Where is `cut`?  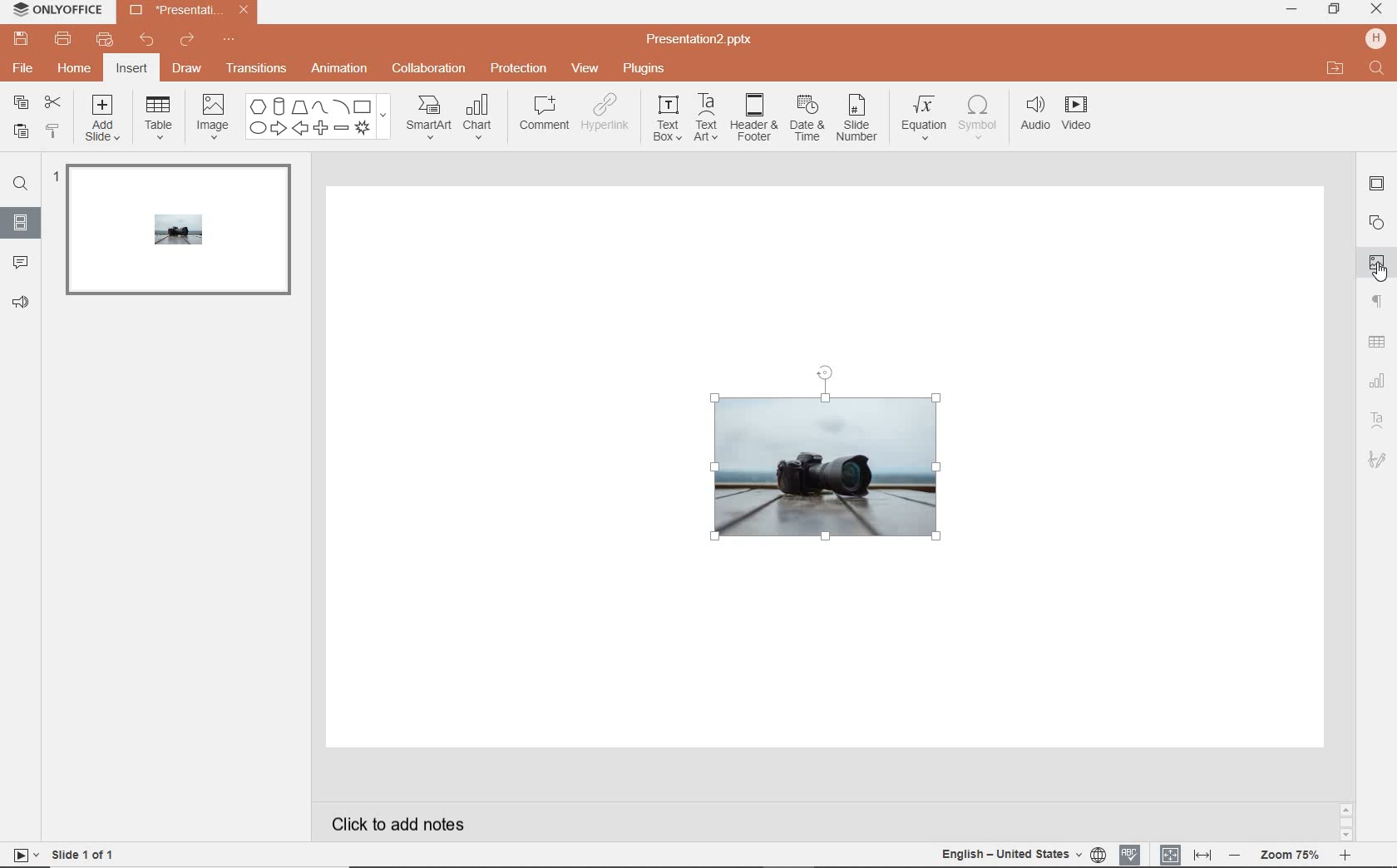
cut is located at coordinates (54, 101).